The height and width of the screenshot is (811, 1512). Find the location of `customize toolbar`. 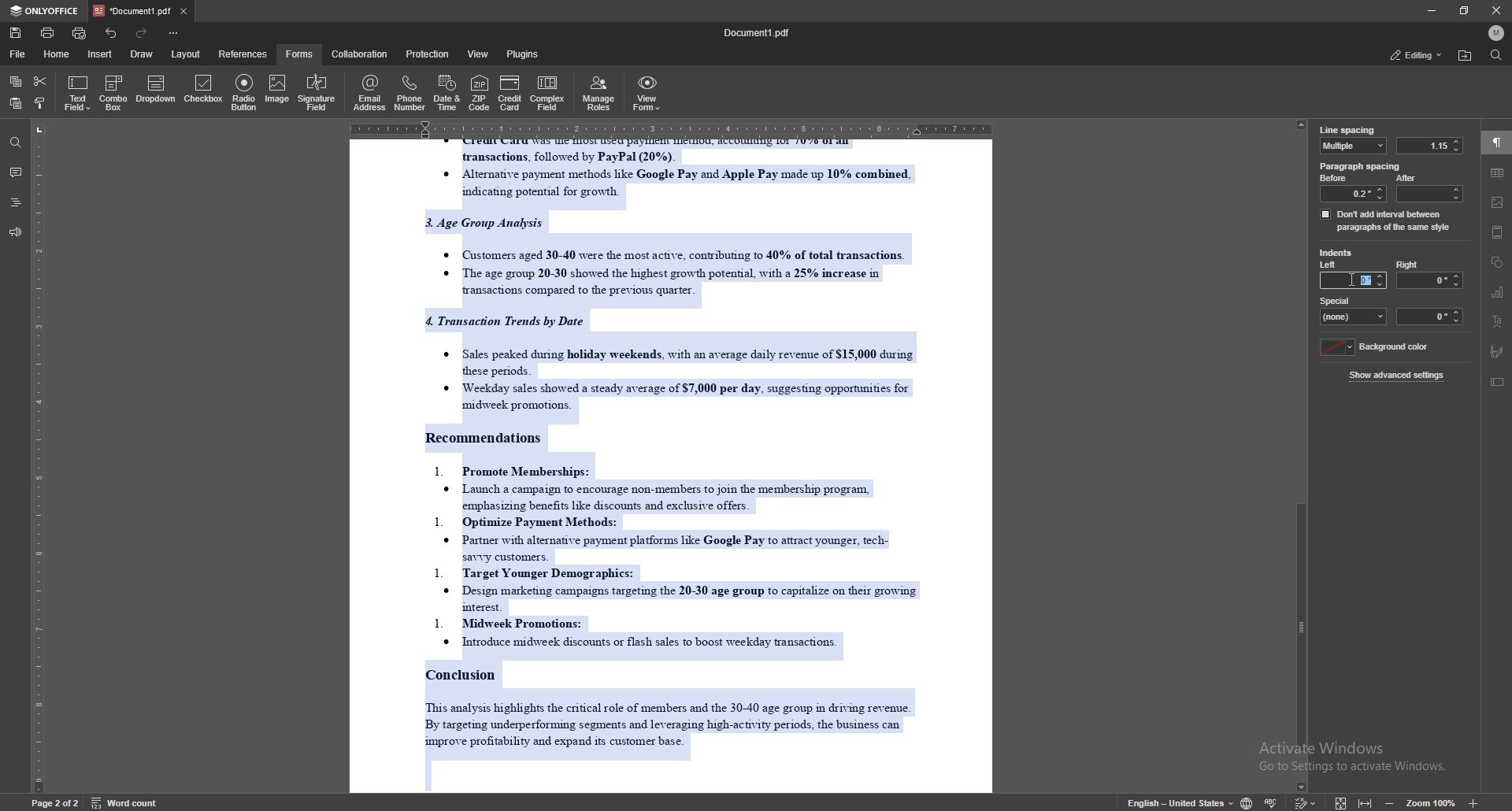

customize toolbar is located at coordinates (172, 32).